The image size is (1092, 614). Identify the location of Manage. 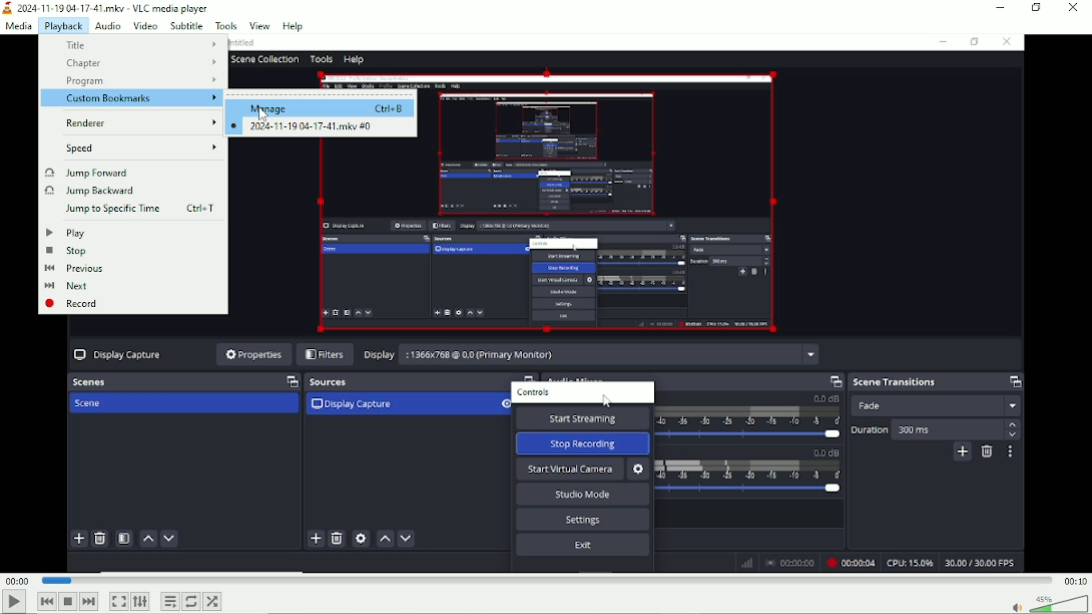
(327, 108).